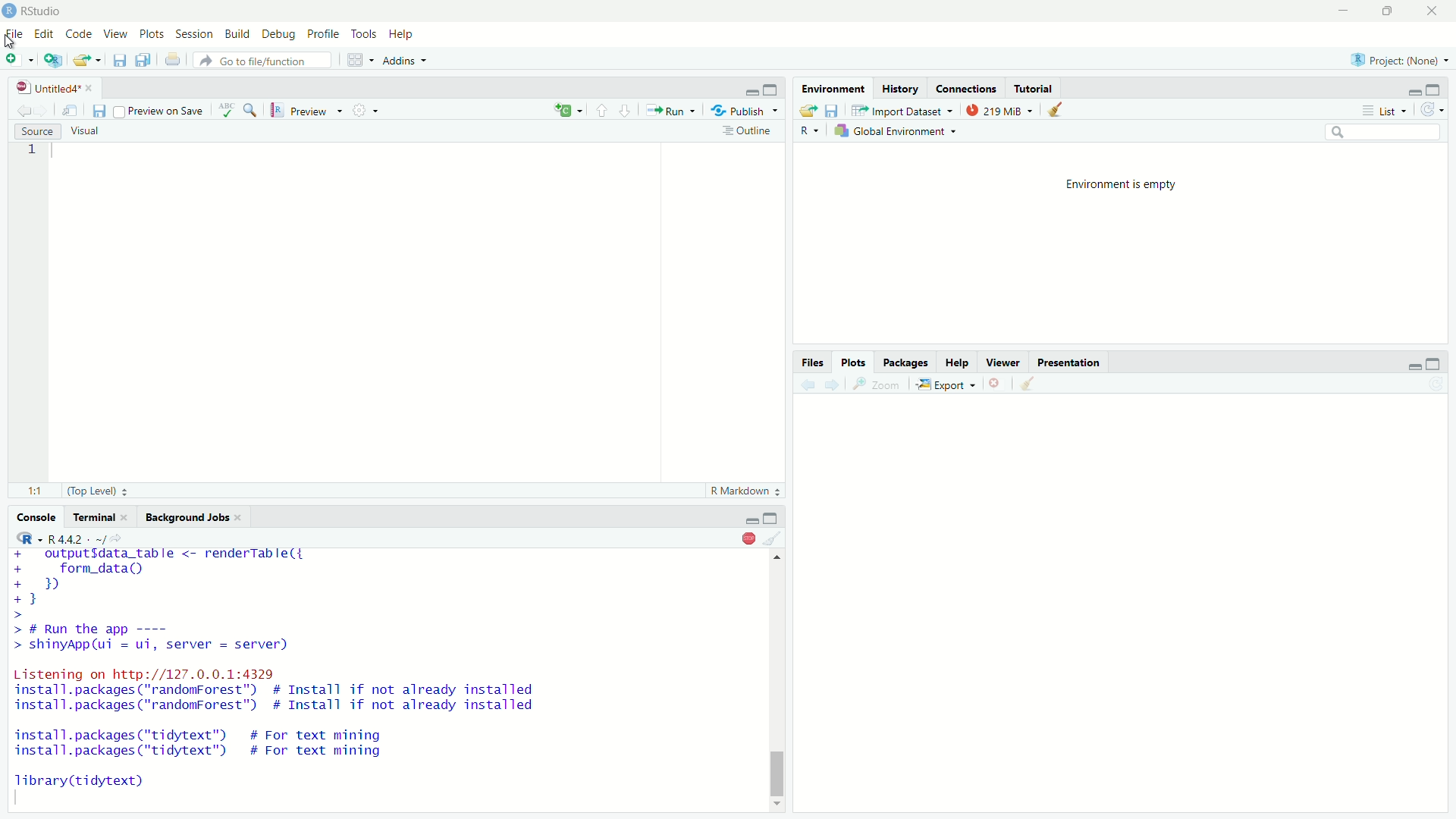  I want to click on go to next section, so click(625, 111).